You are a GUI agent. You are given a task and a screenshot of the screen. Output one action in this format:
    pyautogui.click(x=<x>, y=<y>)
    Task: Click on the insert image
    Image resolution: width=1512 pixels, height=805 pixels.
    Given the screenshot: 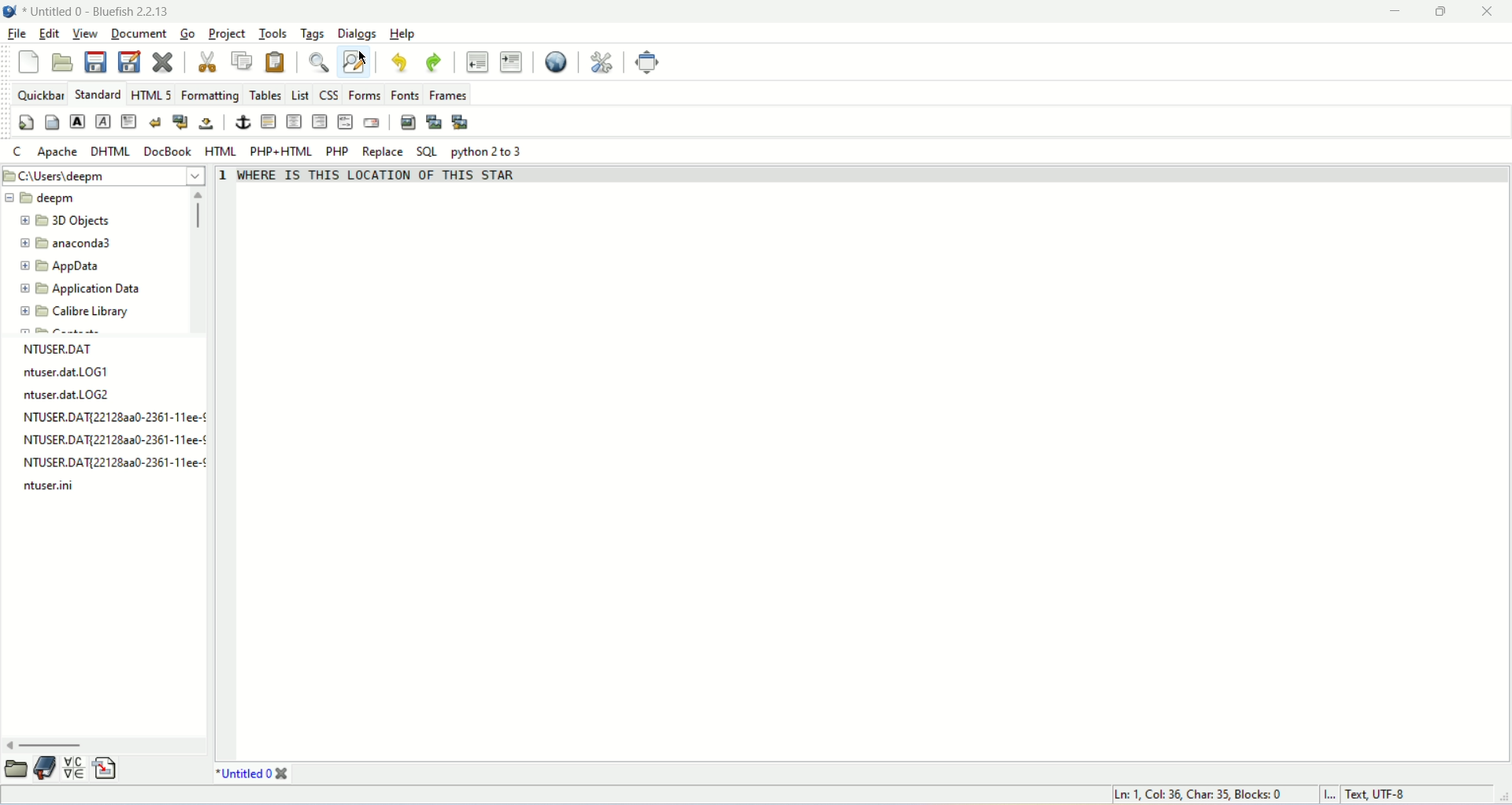 What is the action you would take?
    pyautogui.click(x=406, y=123)
    